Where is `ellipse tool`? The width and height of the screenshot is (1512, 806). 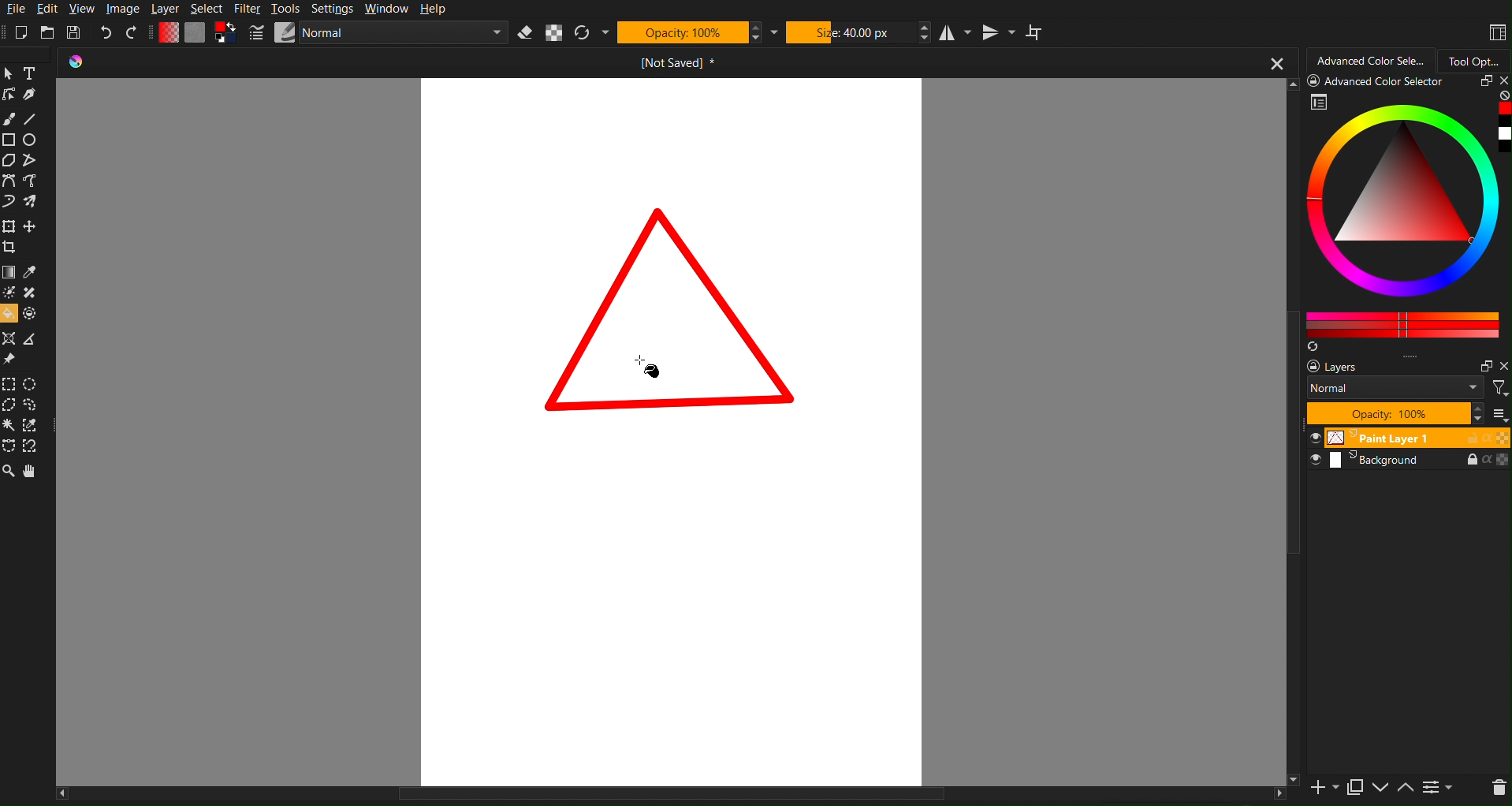 ellipse tool is located at coordinates (32, 140).